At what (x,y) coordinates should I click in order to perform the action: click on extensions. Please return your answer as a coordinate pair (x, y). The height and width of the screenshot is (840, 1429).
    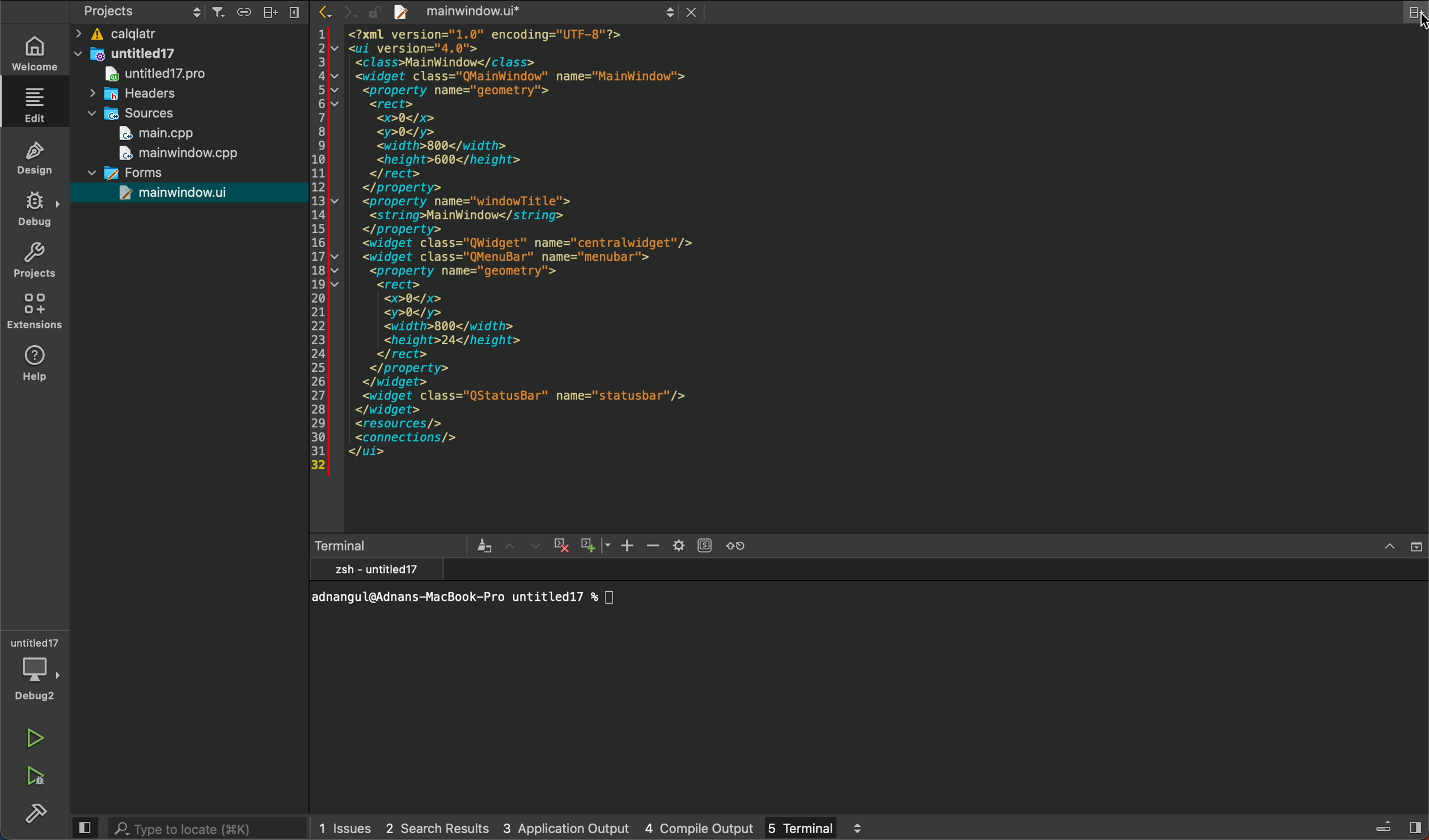
    Looking at the image, I should click on (38, 314).